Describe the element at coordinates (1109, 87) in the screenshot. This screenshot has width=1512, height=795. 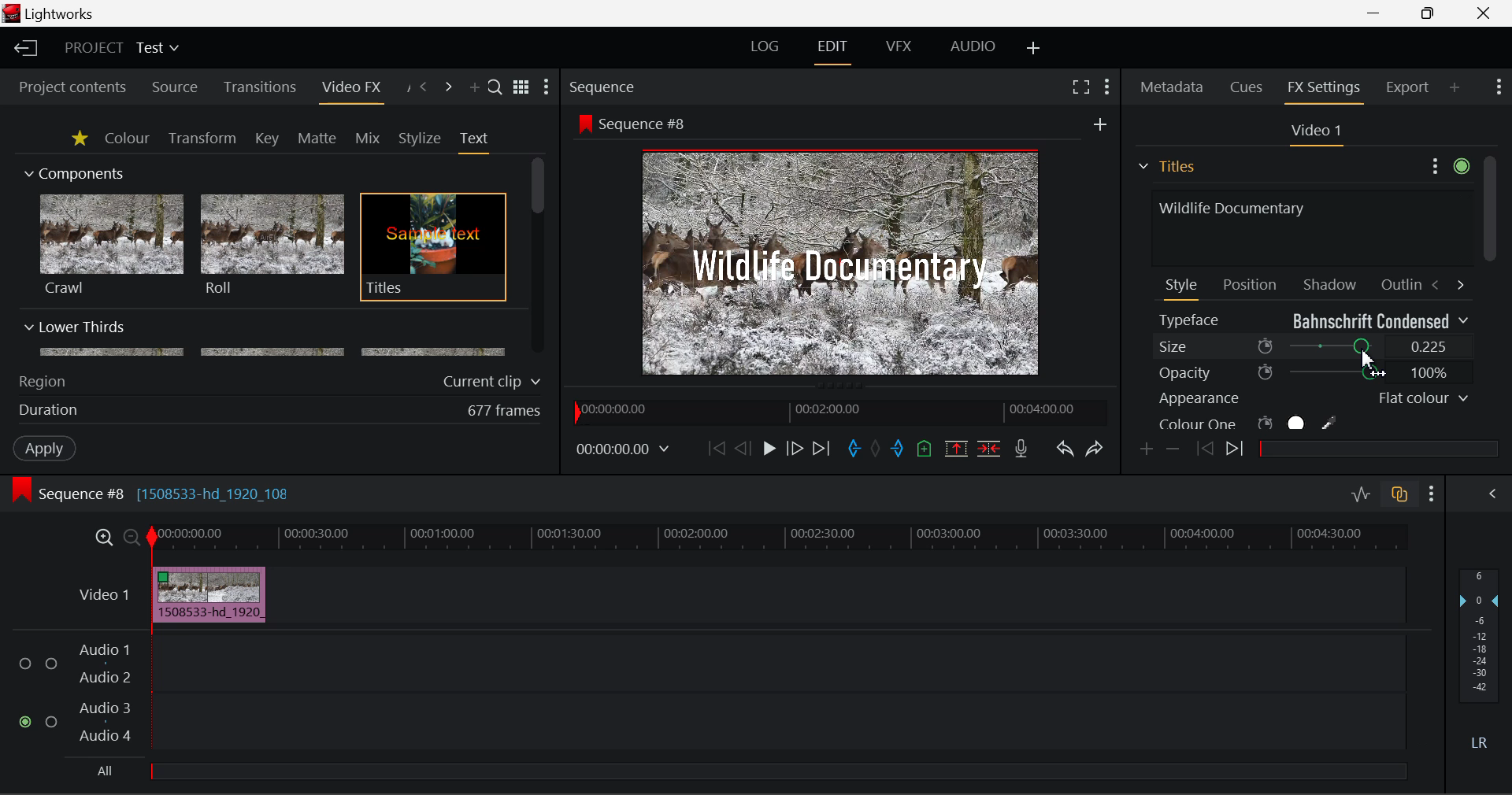
I see `Show Settings` at that location.